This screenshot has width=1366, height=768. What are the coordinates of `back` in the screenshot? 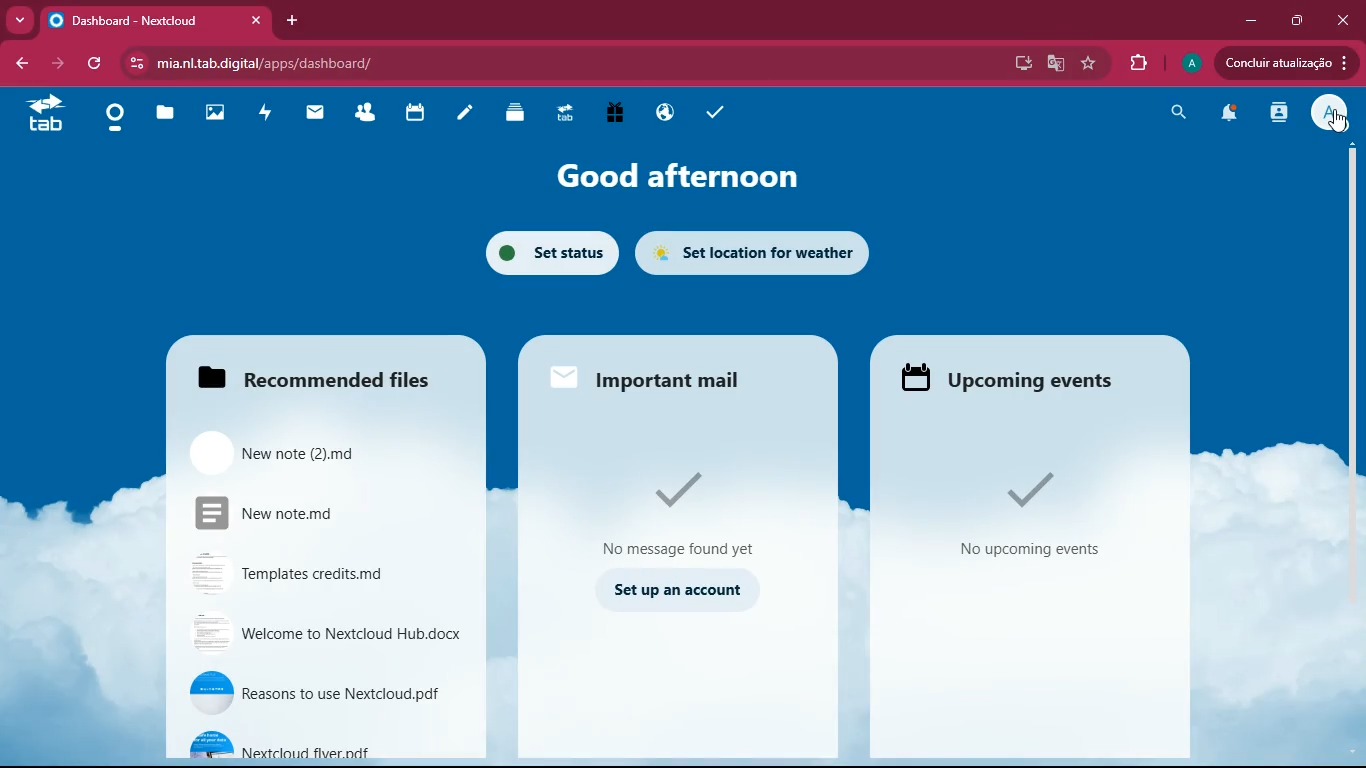 It's located at (19, 64).